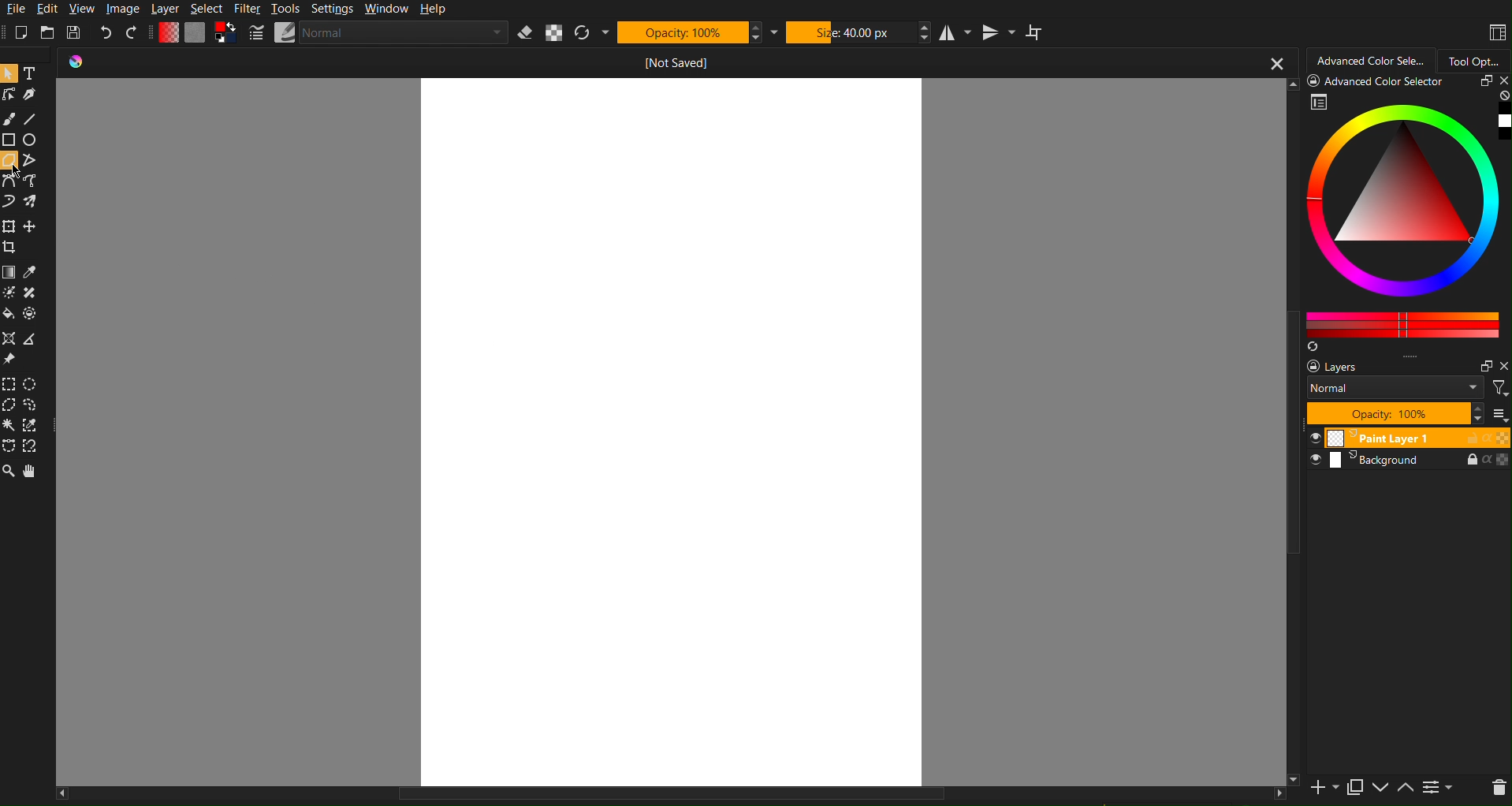 The height and width of the screenshot is (806, 1512). What do you see at coordinates (1372, 58) in the screenshot?
I see `Advanced Color Selector` at bounding box center [1372, 58].